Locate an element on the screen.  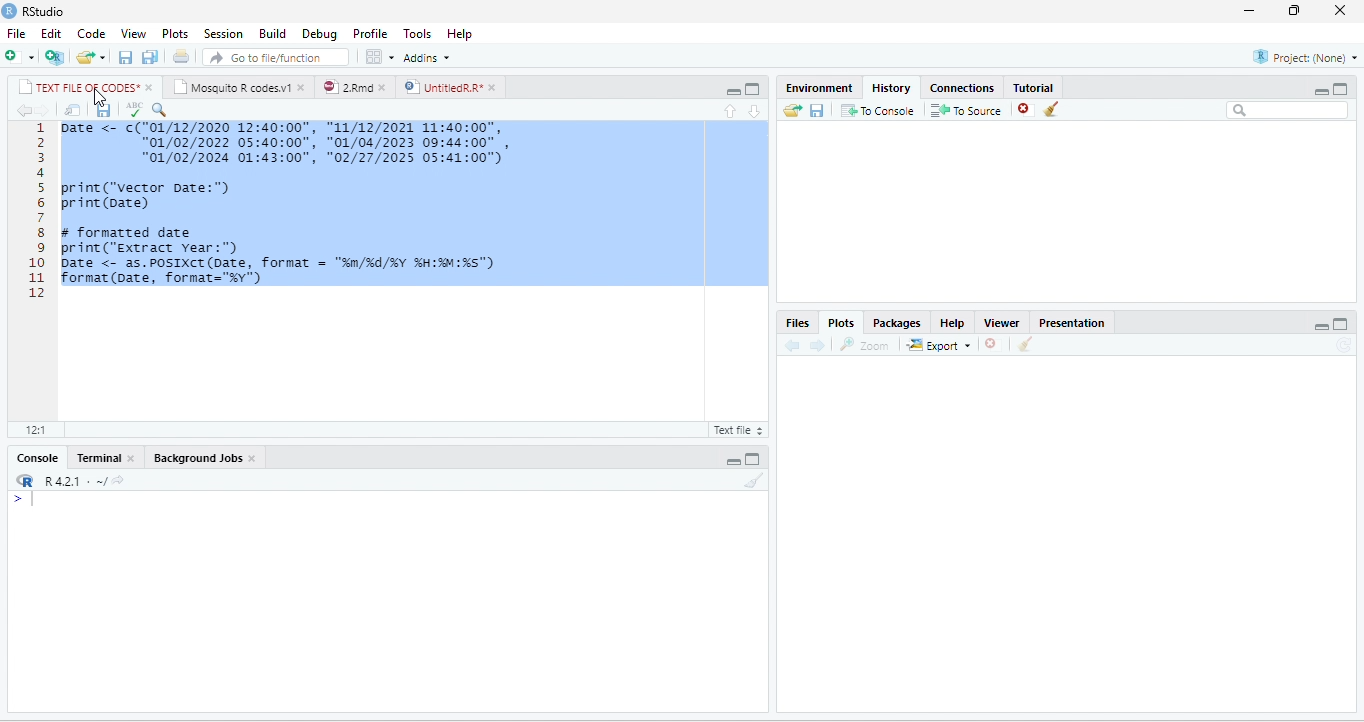
print(“vector Date:")print (Date) is located at coordinates (146, 196).